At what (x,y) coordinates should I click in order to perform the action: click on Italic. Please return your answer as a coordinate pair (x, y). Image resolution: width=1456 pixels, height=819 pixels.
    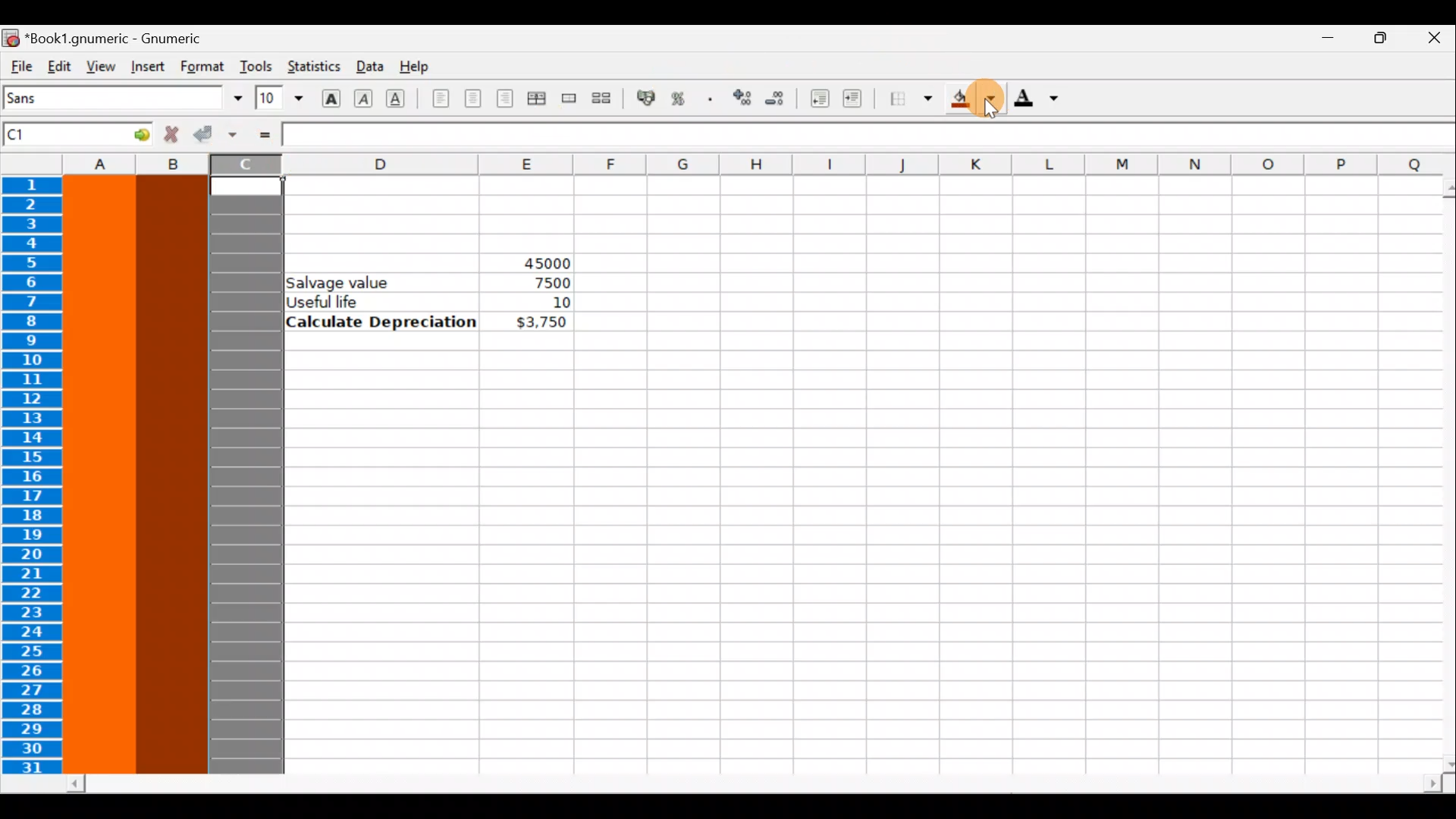
    Looking at the image, I should click on (366, 96).